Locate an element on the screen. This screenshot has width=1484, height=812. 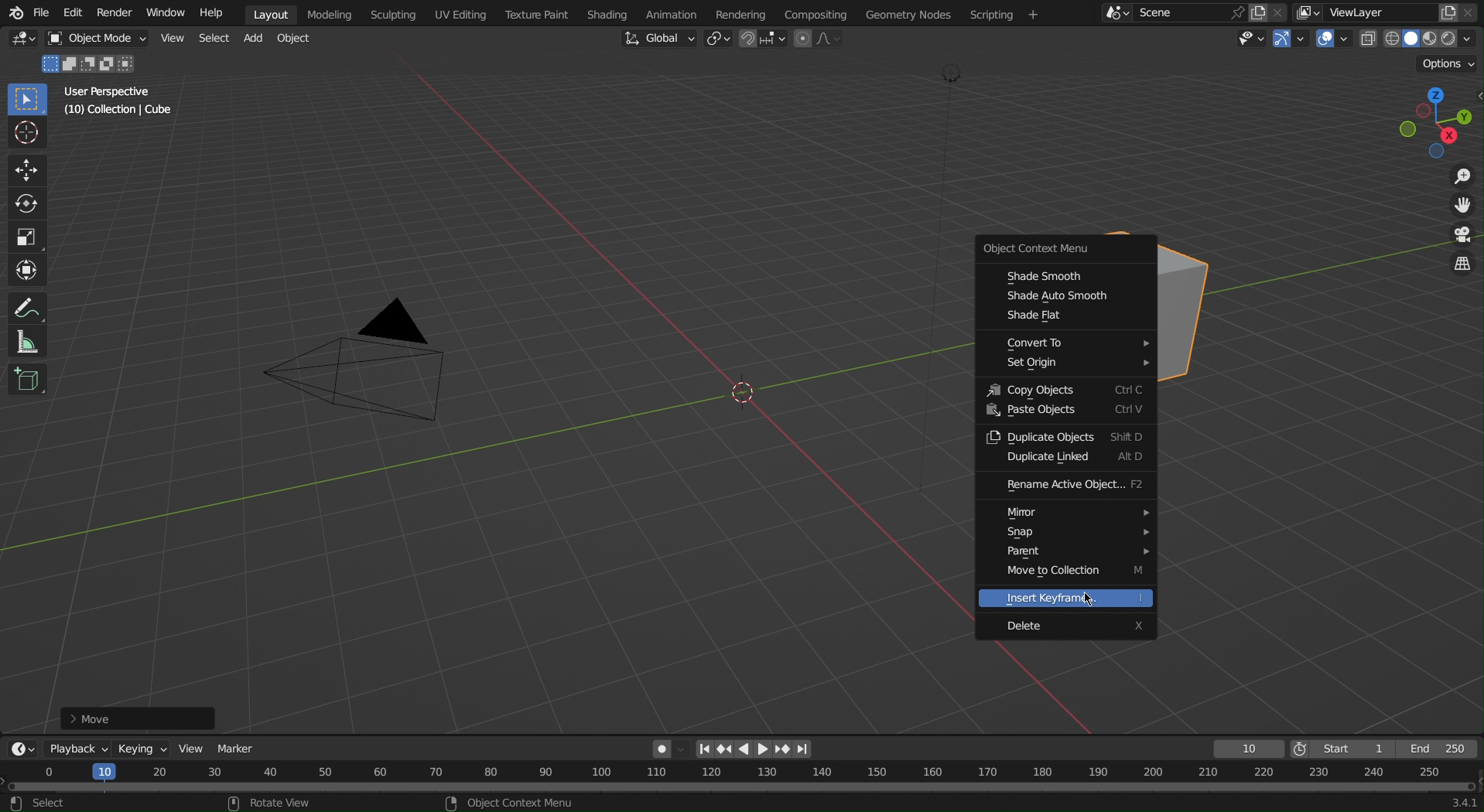
Blender is located at coordinates (13, 12).